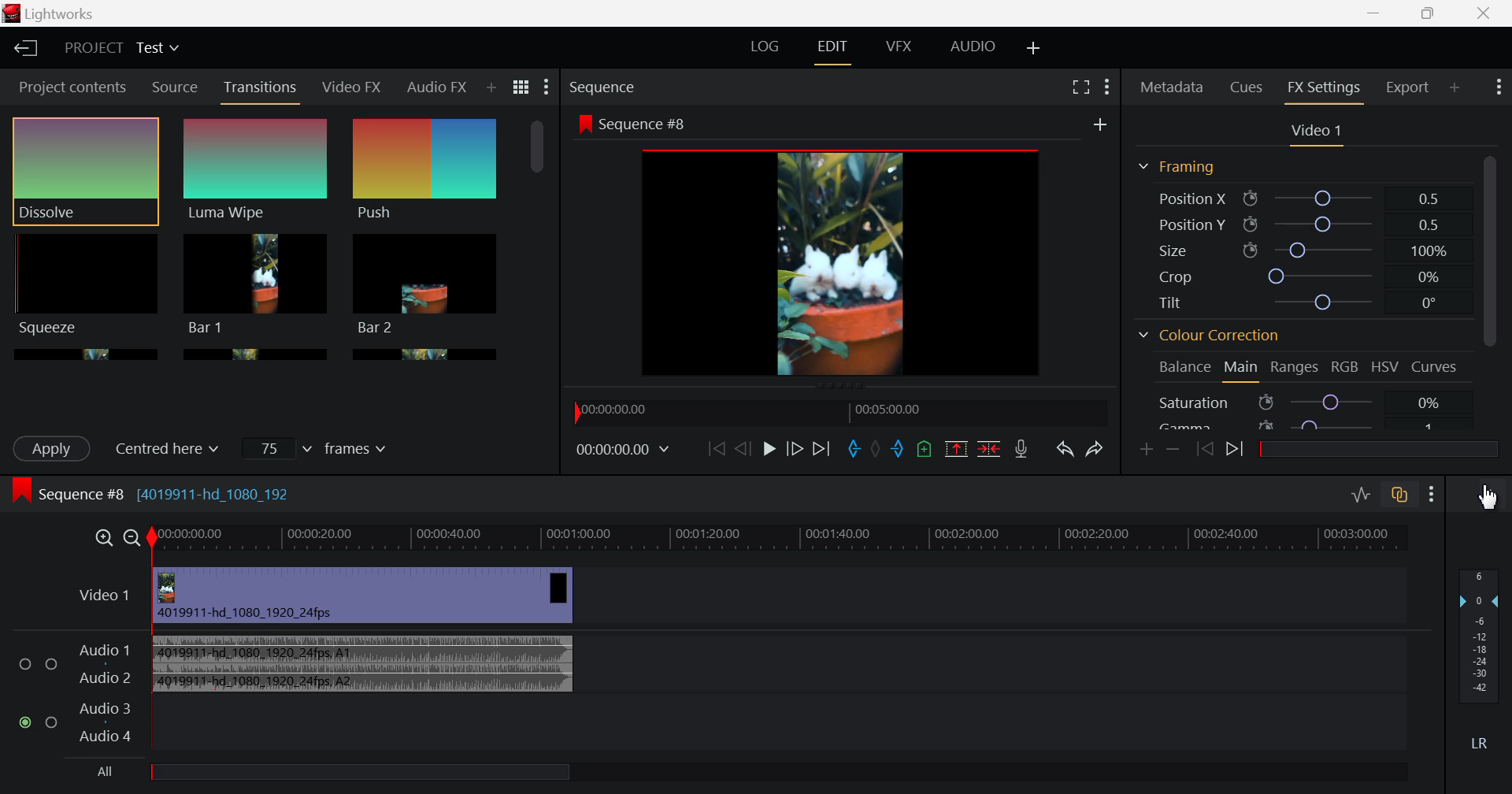  Describe the element at coordinates (1498, 89) in the screenshot. I see `Show Settings` at that location.